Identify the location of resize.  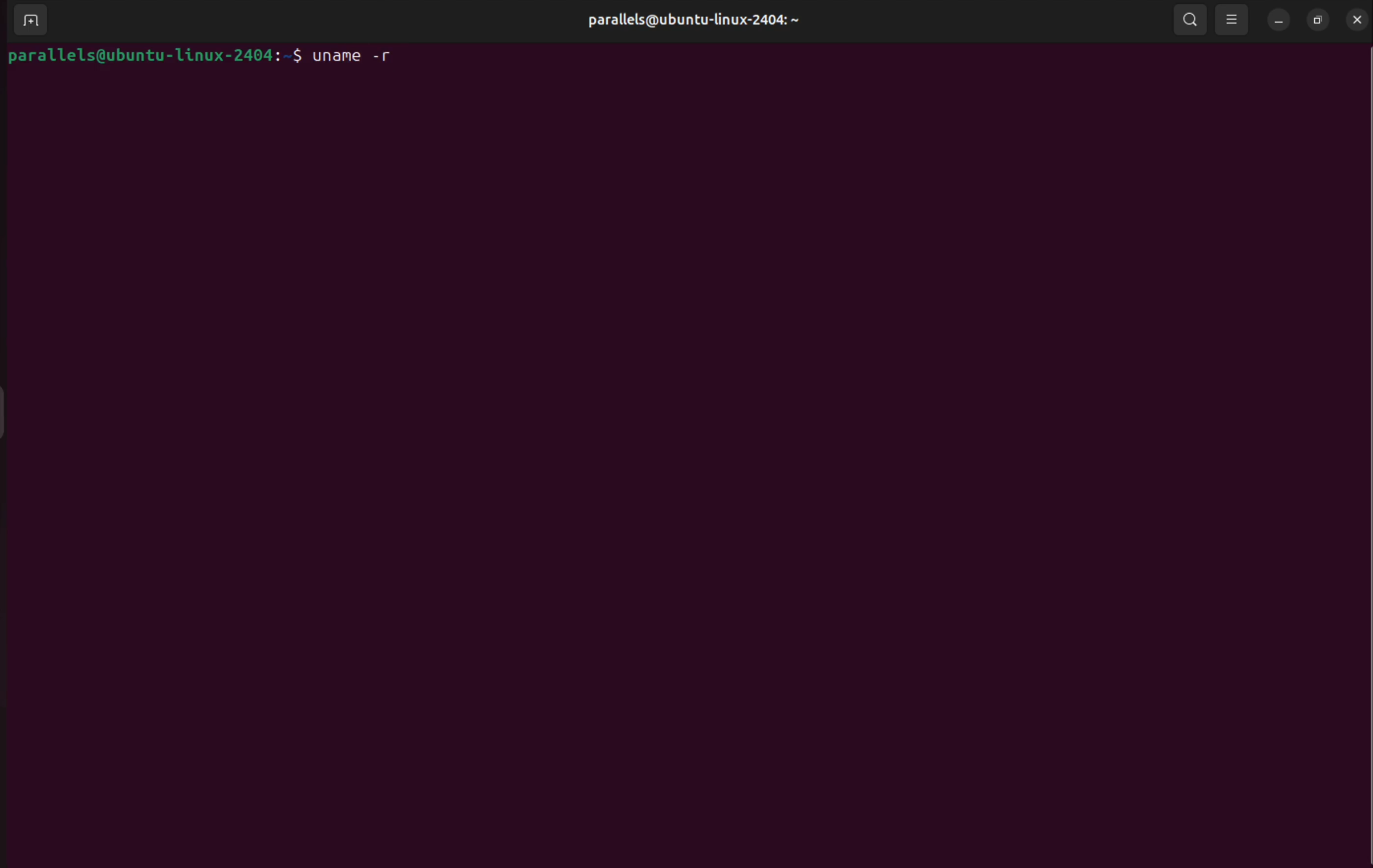
(1315, 19).